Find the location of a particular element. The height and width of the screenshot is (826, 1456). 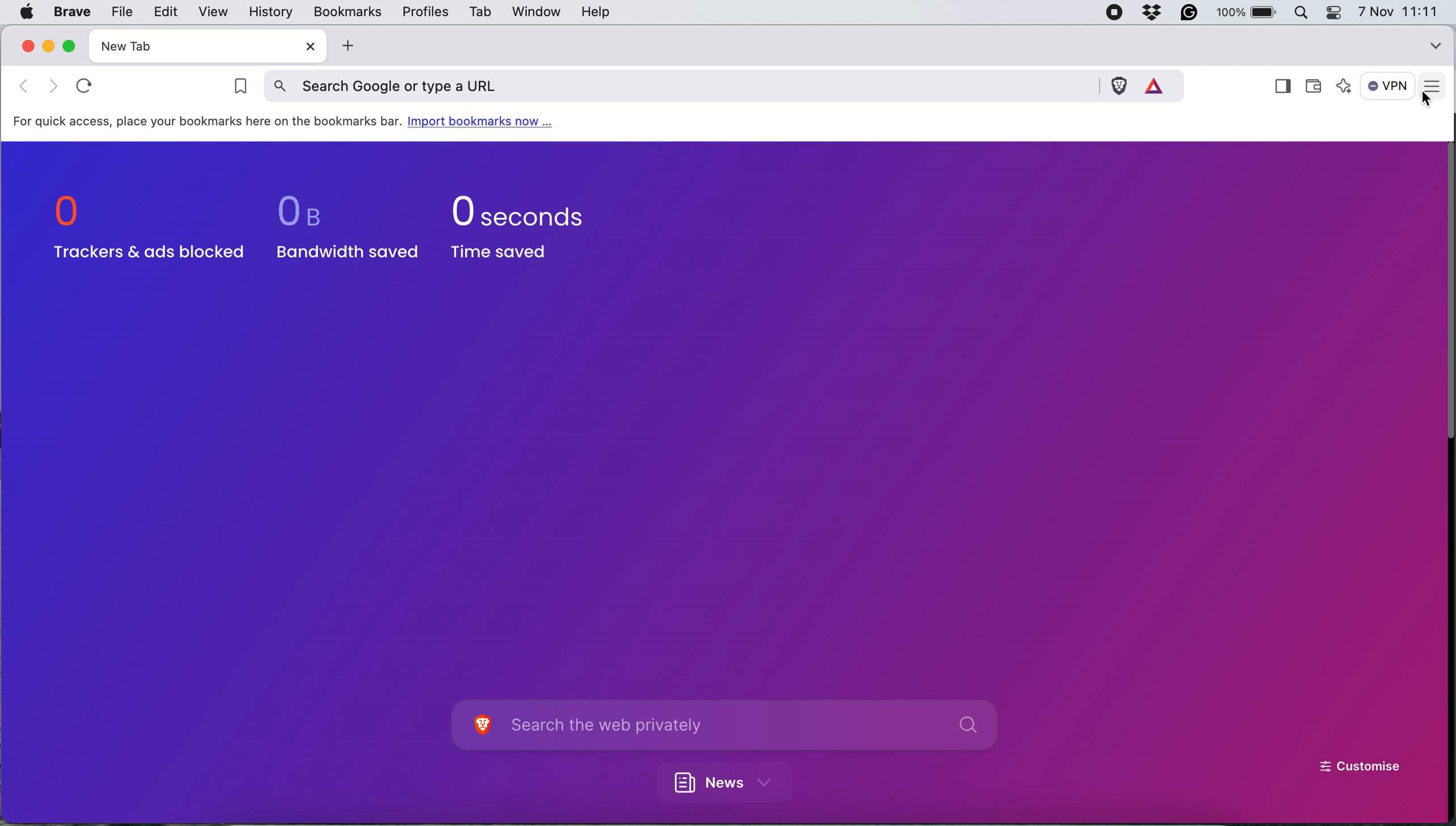

system logo is located at coordinates (26, 11).